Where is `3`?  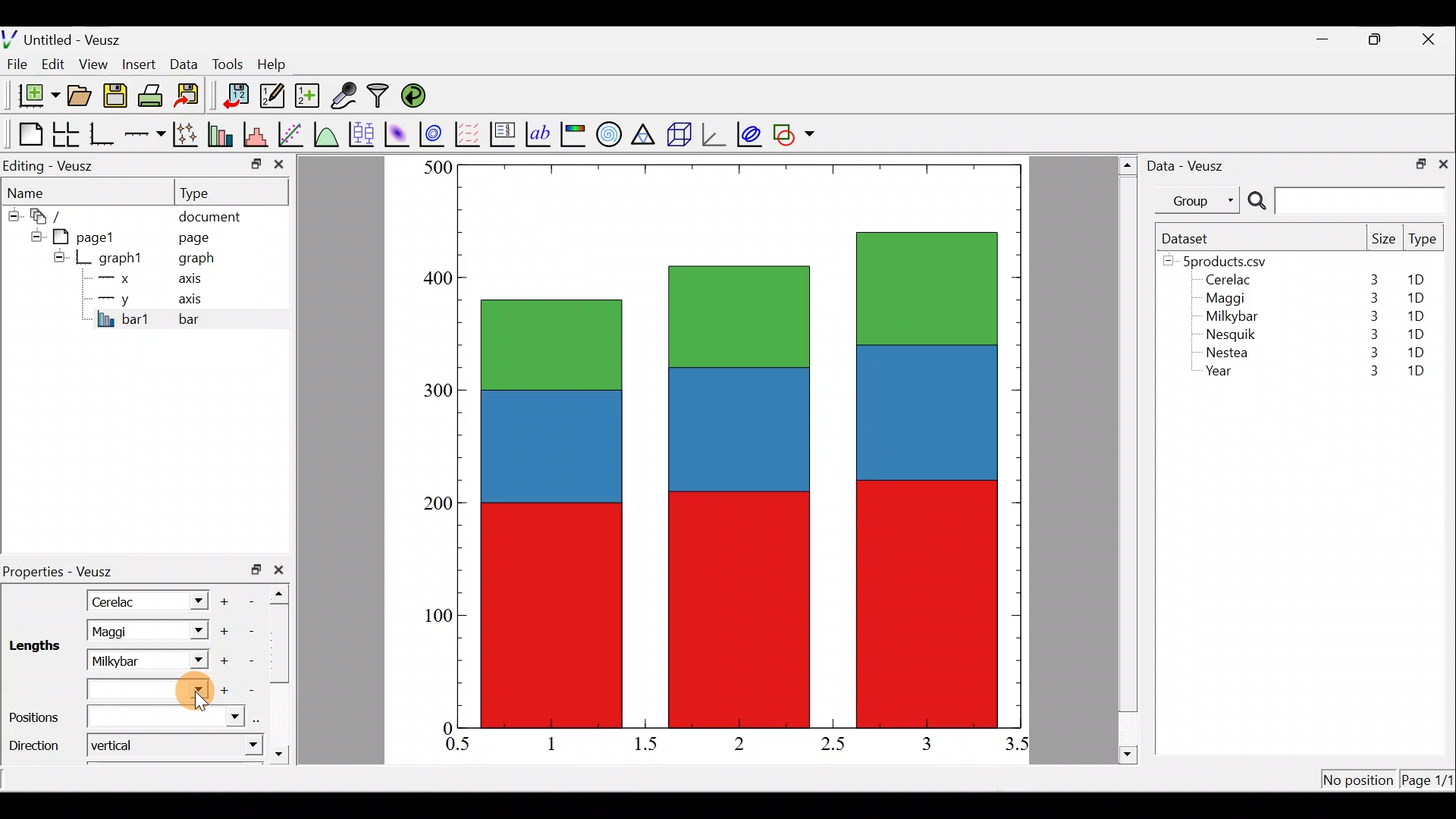 3 is located at coordinates (1371, 316).